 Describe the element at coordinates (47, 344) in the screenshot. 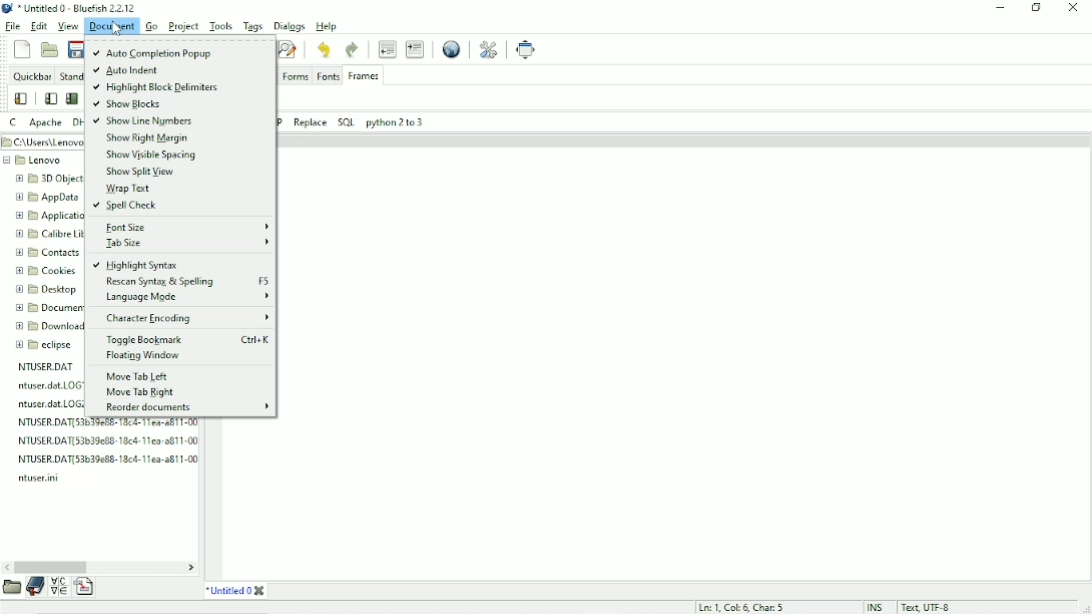

I see `eclipse` at that location.